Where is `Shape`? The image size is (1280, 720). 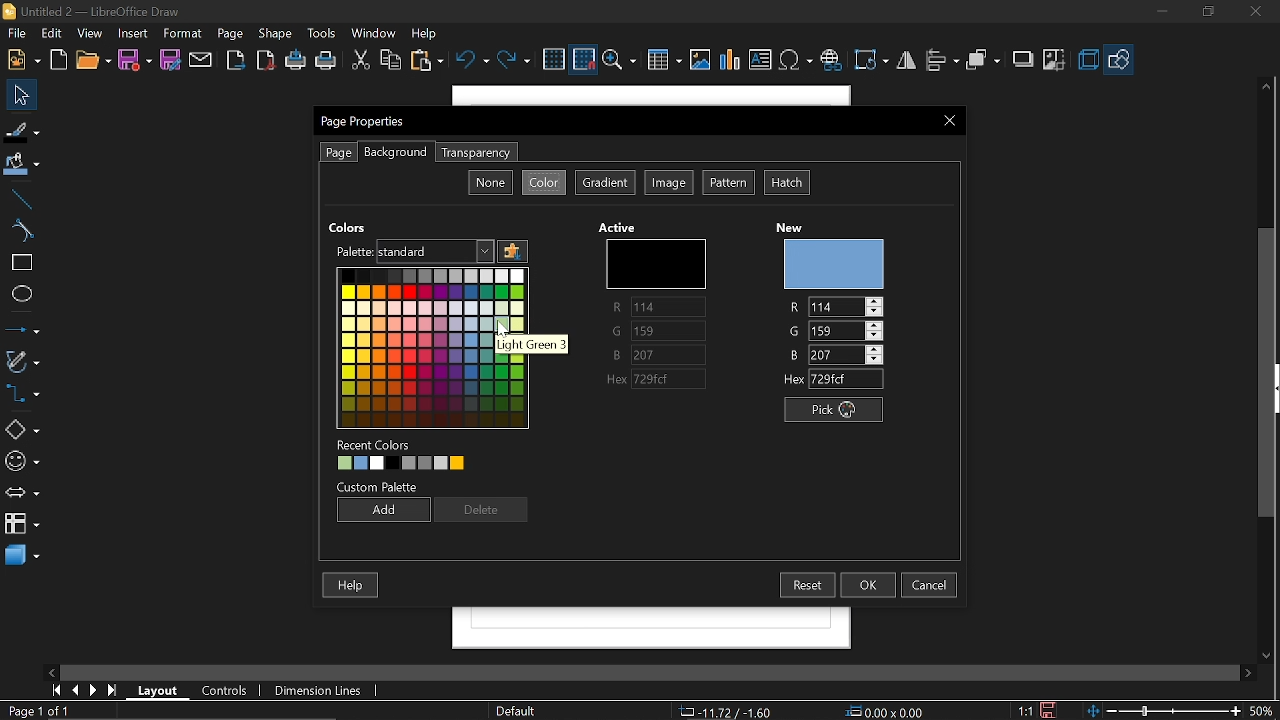 Shape is located at coordinates (273, 35).